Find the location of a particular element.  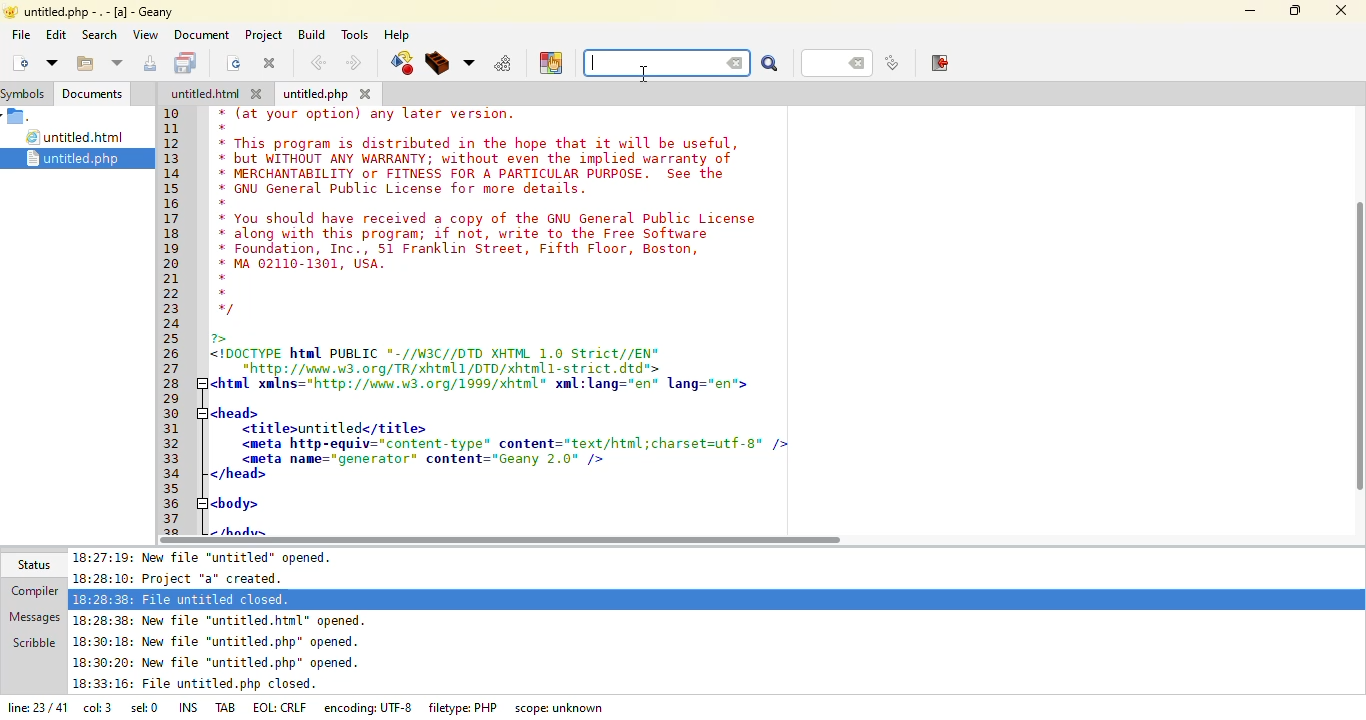

33 is located at coordinates (172, 459).